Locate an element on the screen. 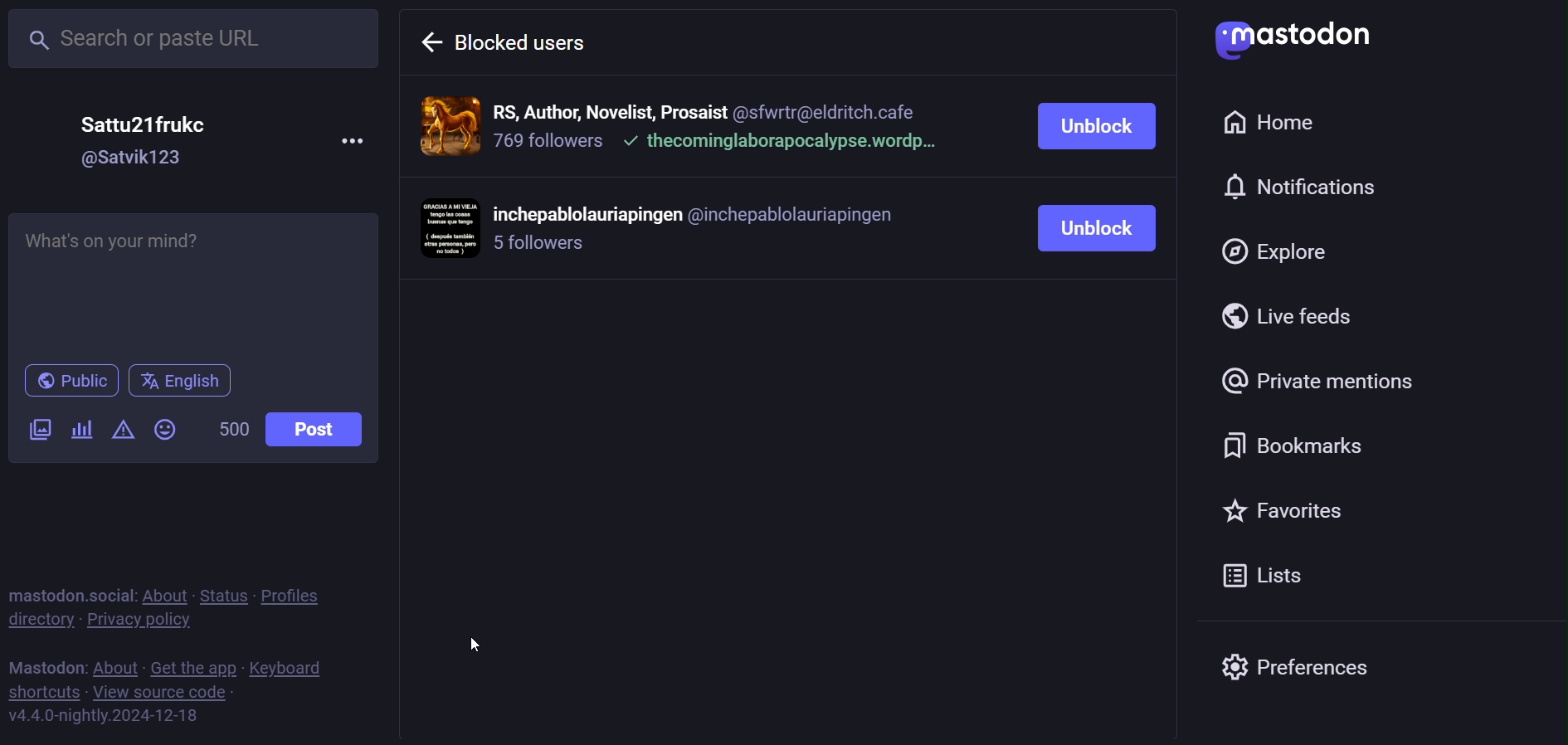 The height and width of the screenshot is (745, 1568). emojis is located at coordinates (164, 429).